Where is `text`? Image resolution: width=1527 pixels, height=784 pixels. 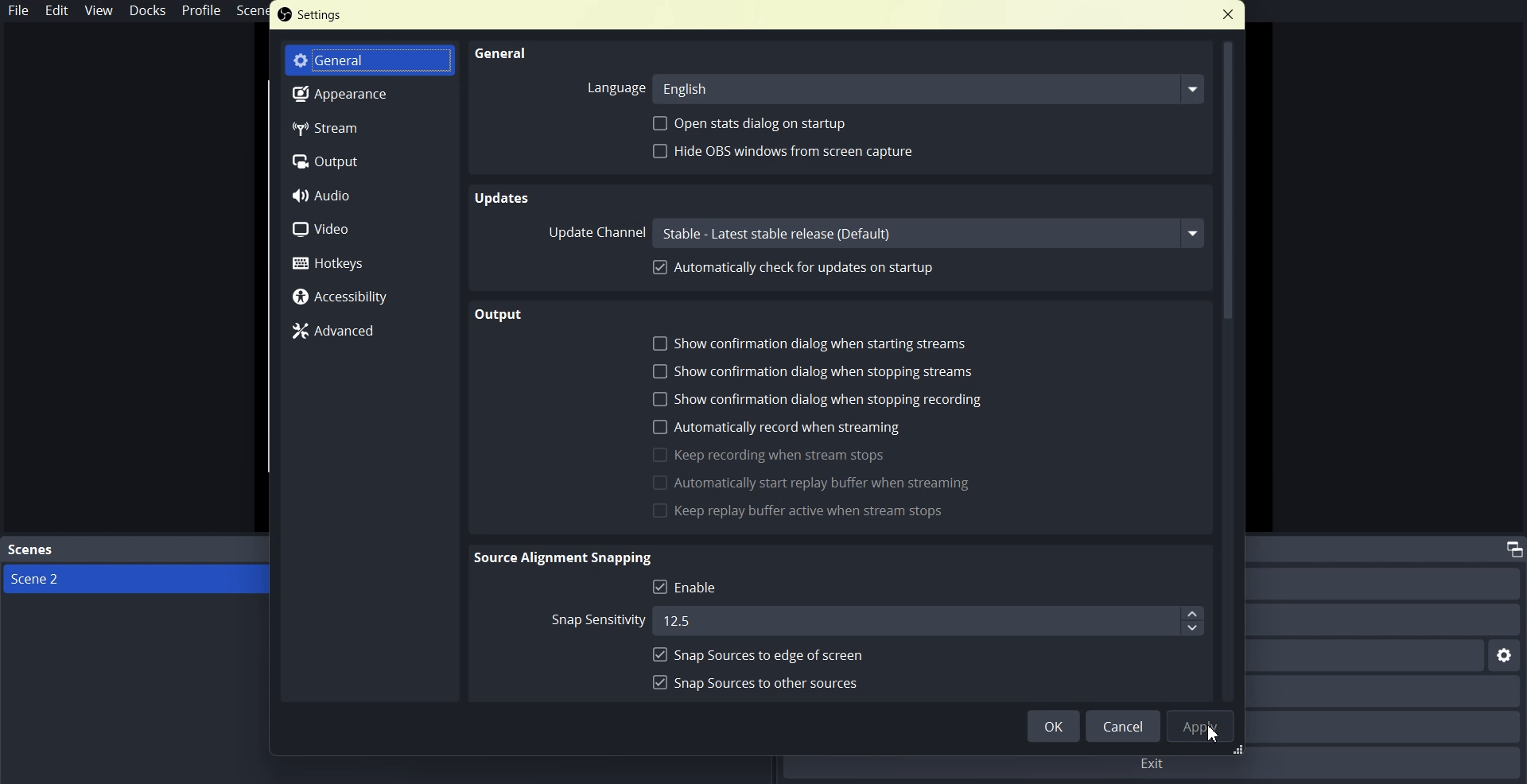 text is located at coordinates (564, 557).